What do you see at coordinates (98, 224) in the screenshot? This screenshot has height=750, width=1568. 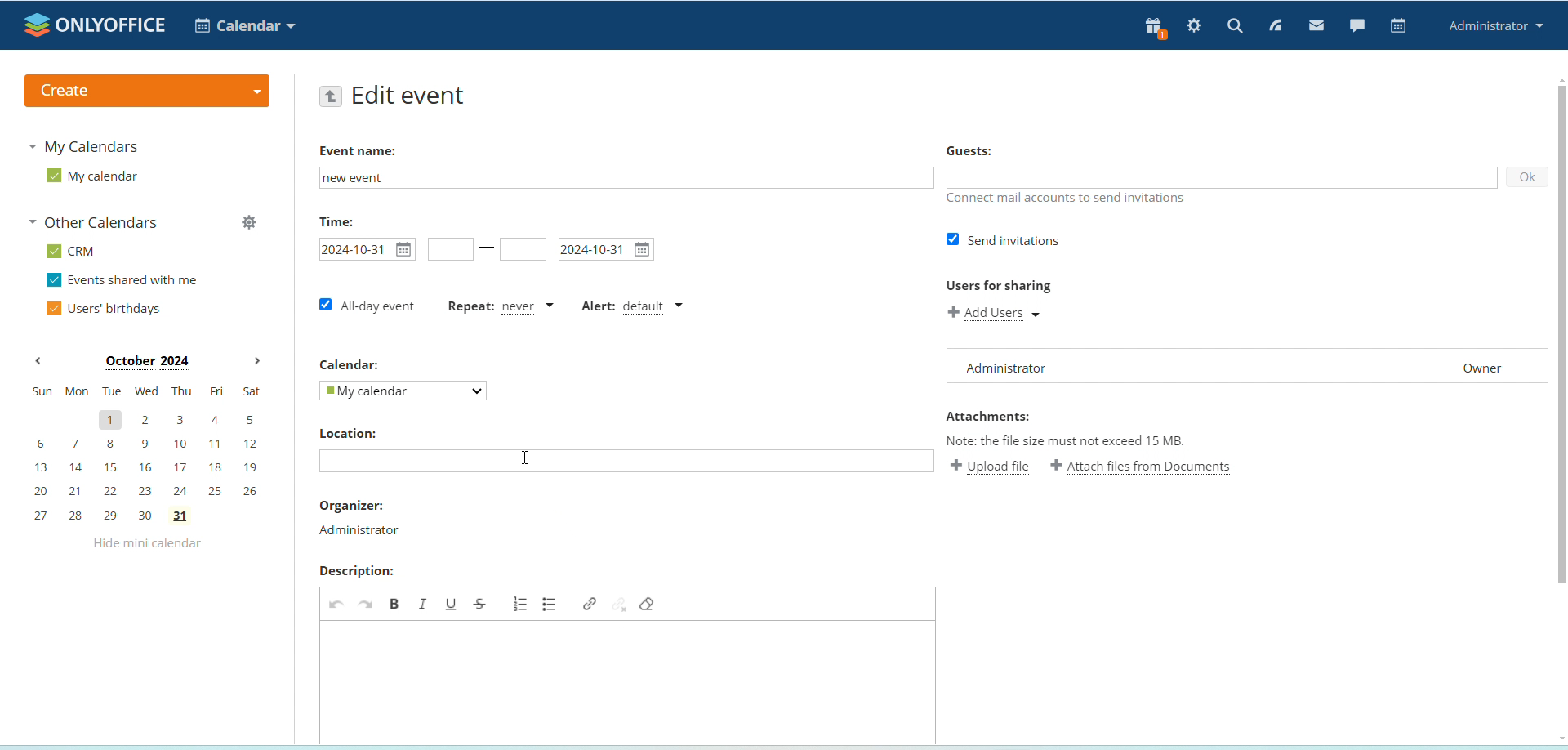 I see `other calendars` at bounding box center [98, 224].